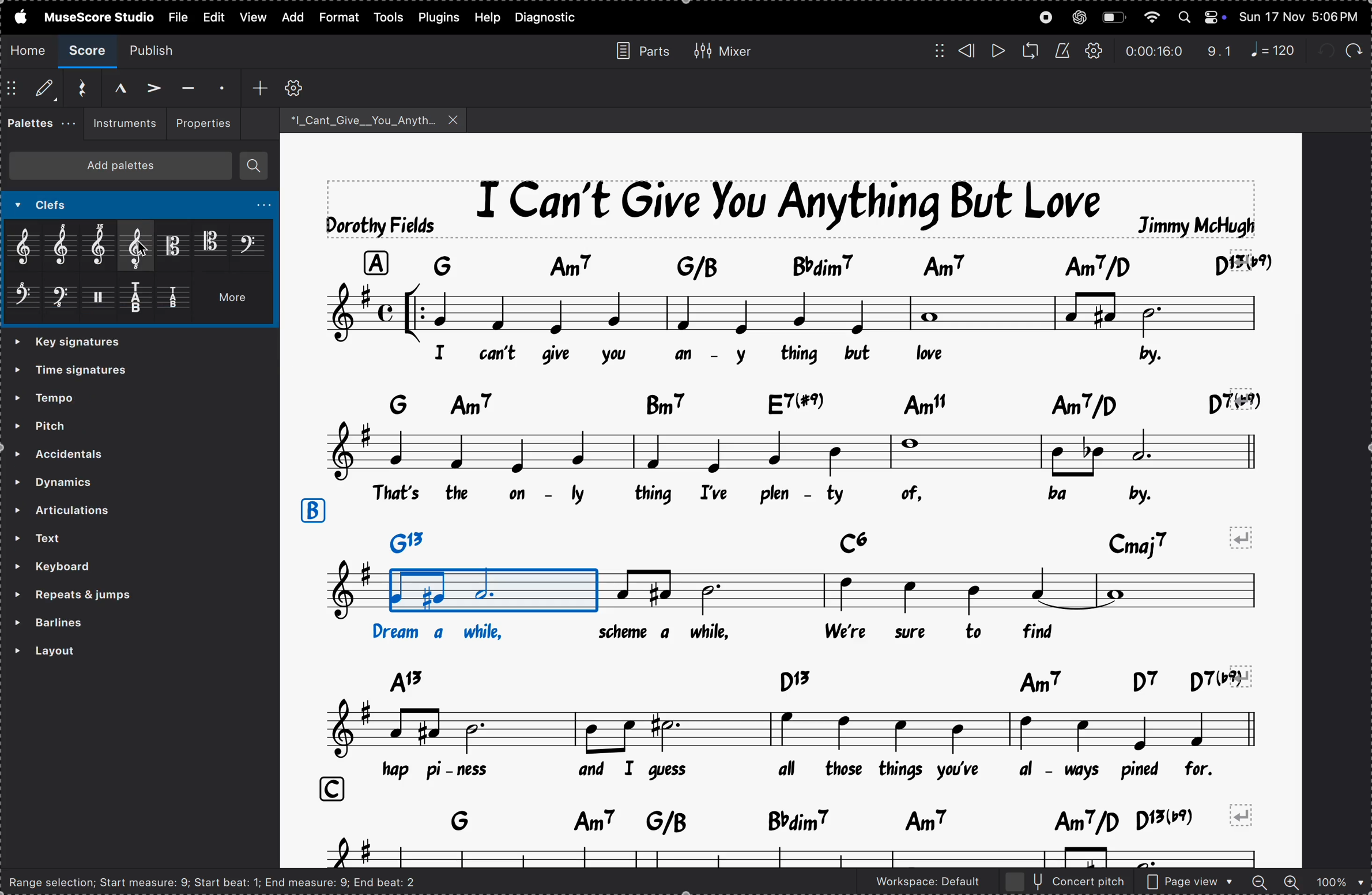 This screenshot has width=1372, height=895. I want to click on bass clef 8 va alta, so click(24, 300).